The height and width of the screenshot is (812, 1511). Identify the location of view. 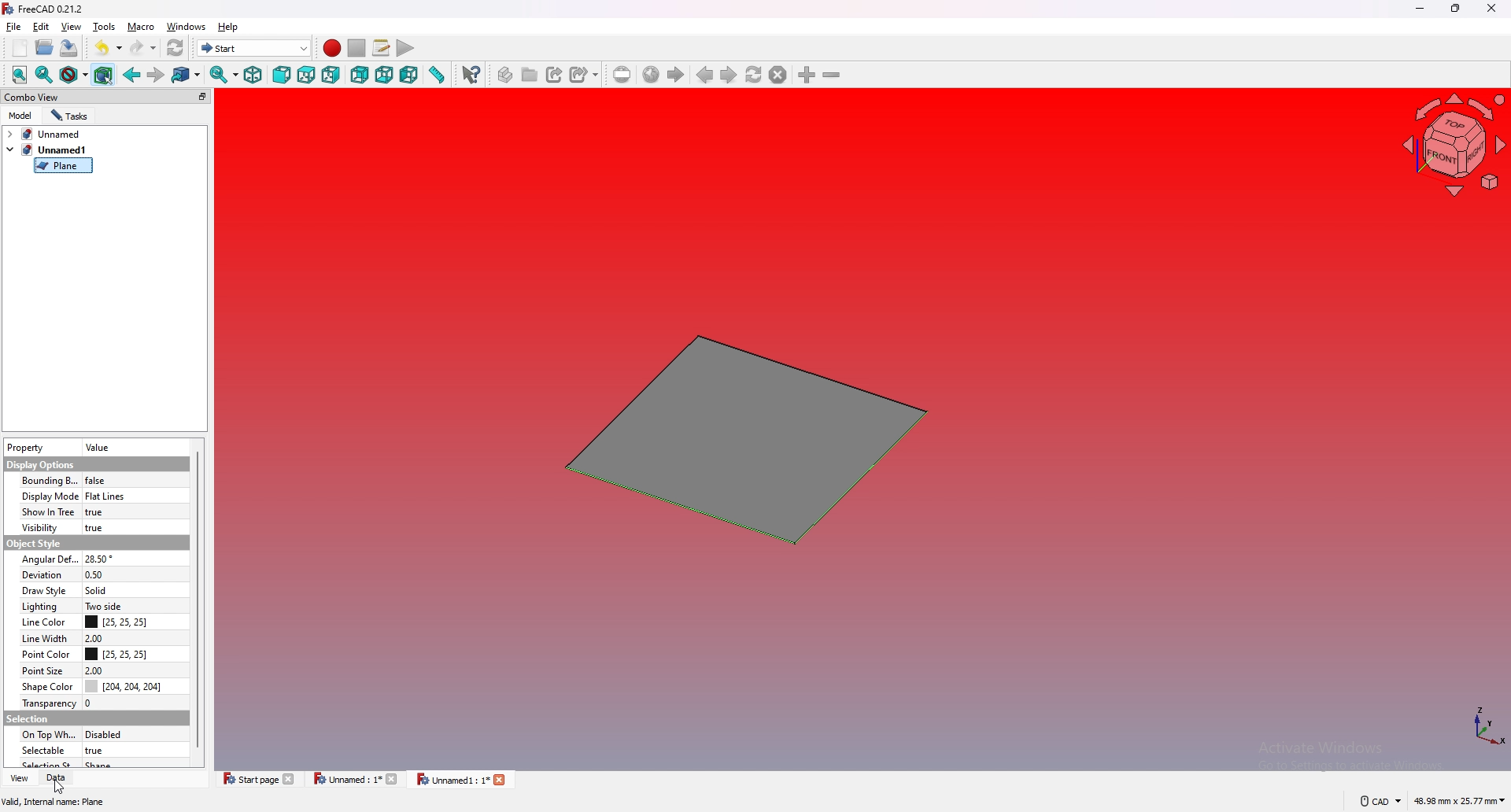
(18, 778).